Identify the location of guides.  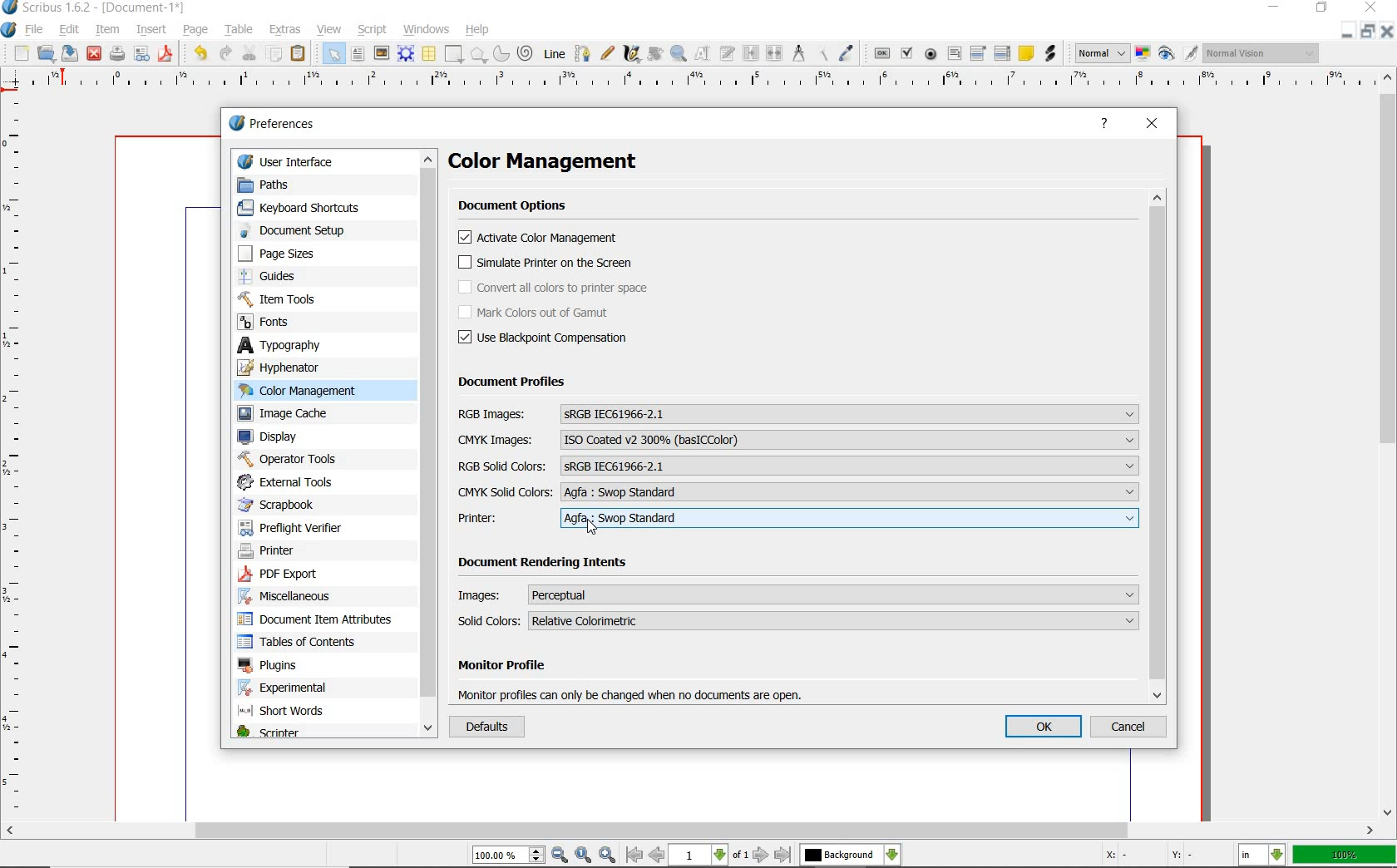
(300, 277).